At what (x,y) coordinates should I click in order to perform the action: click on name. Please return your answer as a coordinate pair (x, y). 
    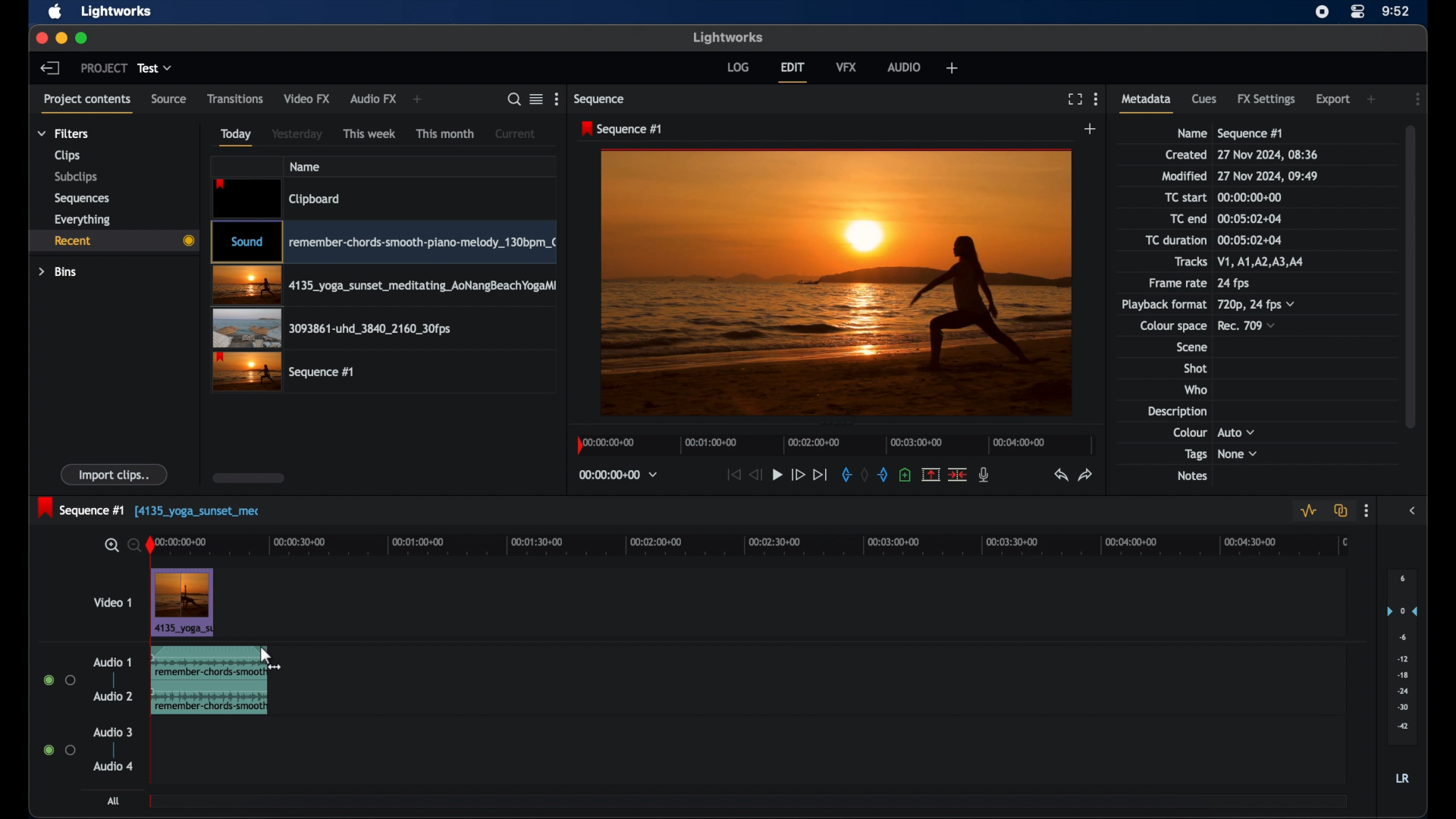
    Looking at the image, I should click on (1191, 133).